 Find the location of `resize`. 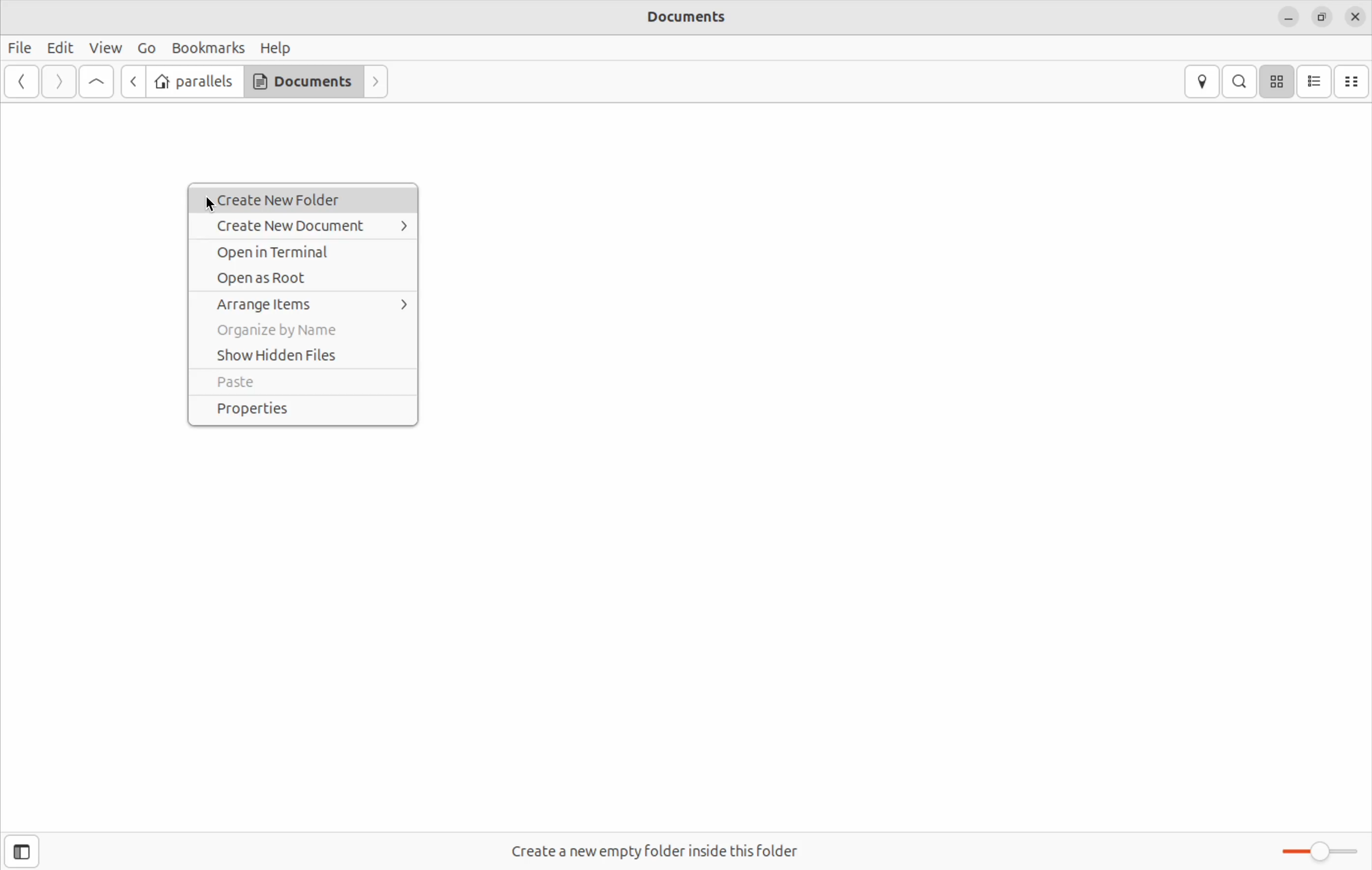

resize is located at coordinates (1322, 18).